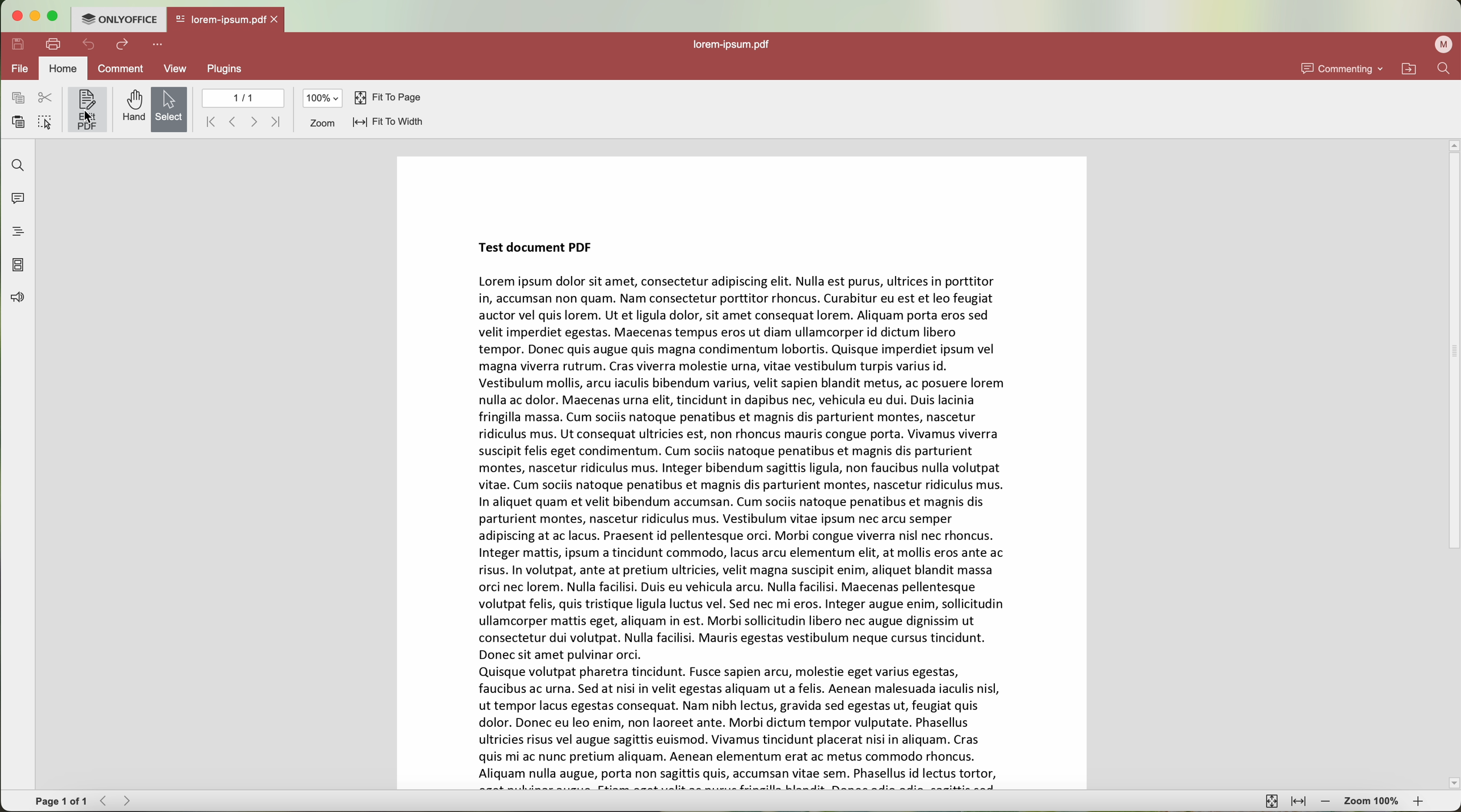  What do you see at coordinates (1418, 802) in the screenshot?
I see `zoom in` at bounding box center [1418, 802].